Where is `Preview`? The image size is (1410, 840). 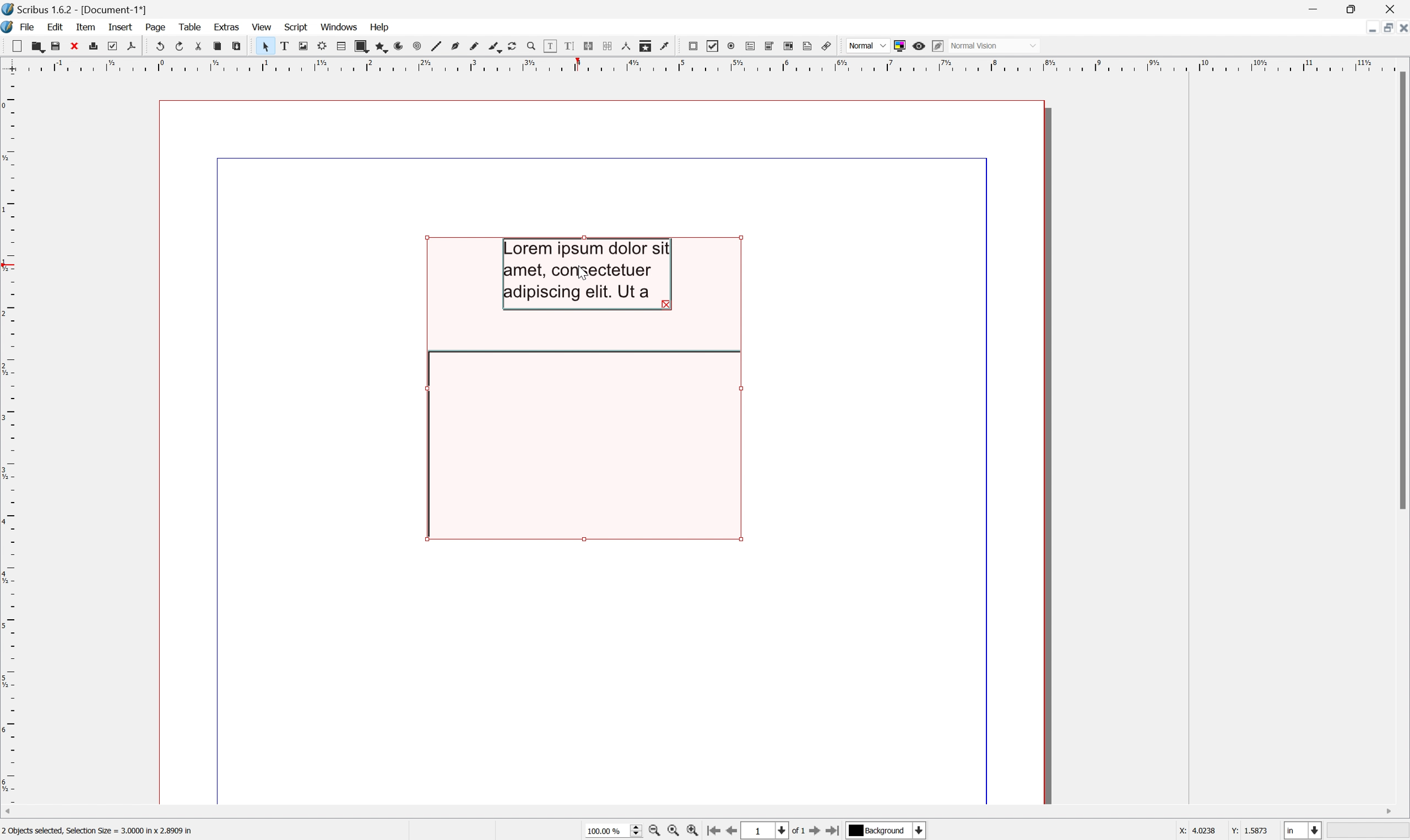
Preview is located at coordinates (919, 45).